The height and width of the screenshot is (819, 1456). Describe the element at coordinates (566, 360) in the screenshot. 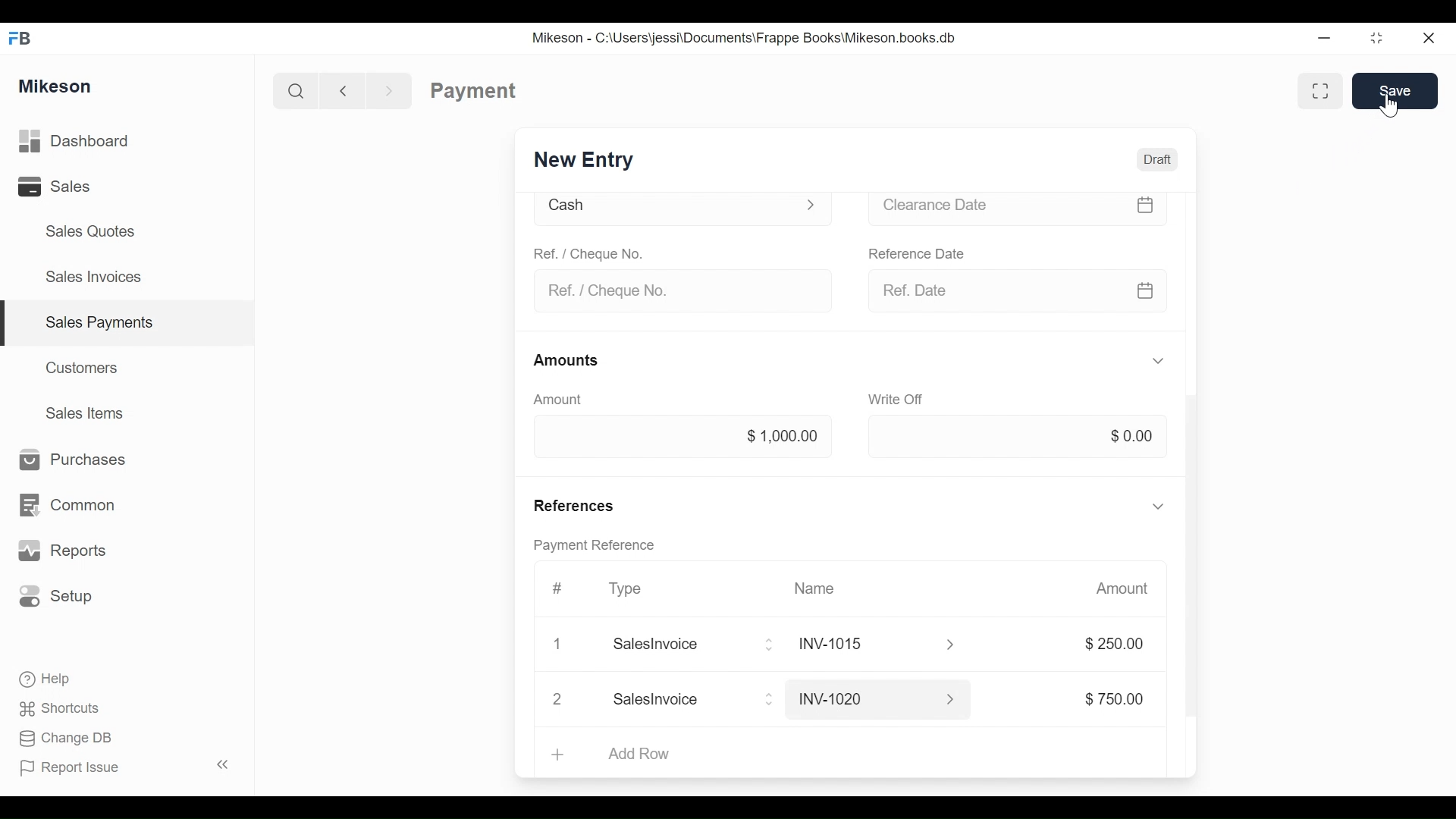

I see `Amounts` at that location.